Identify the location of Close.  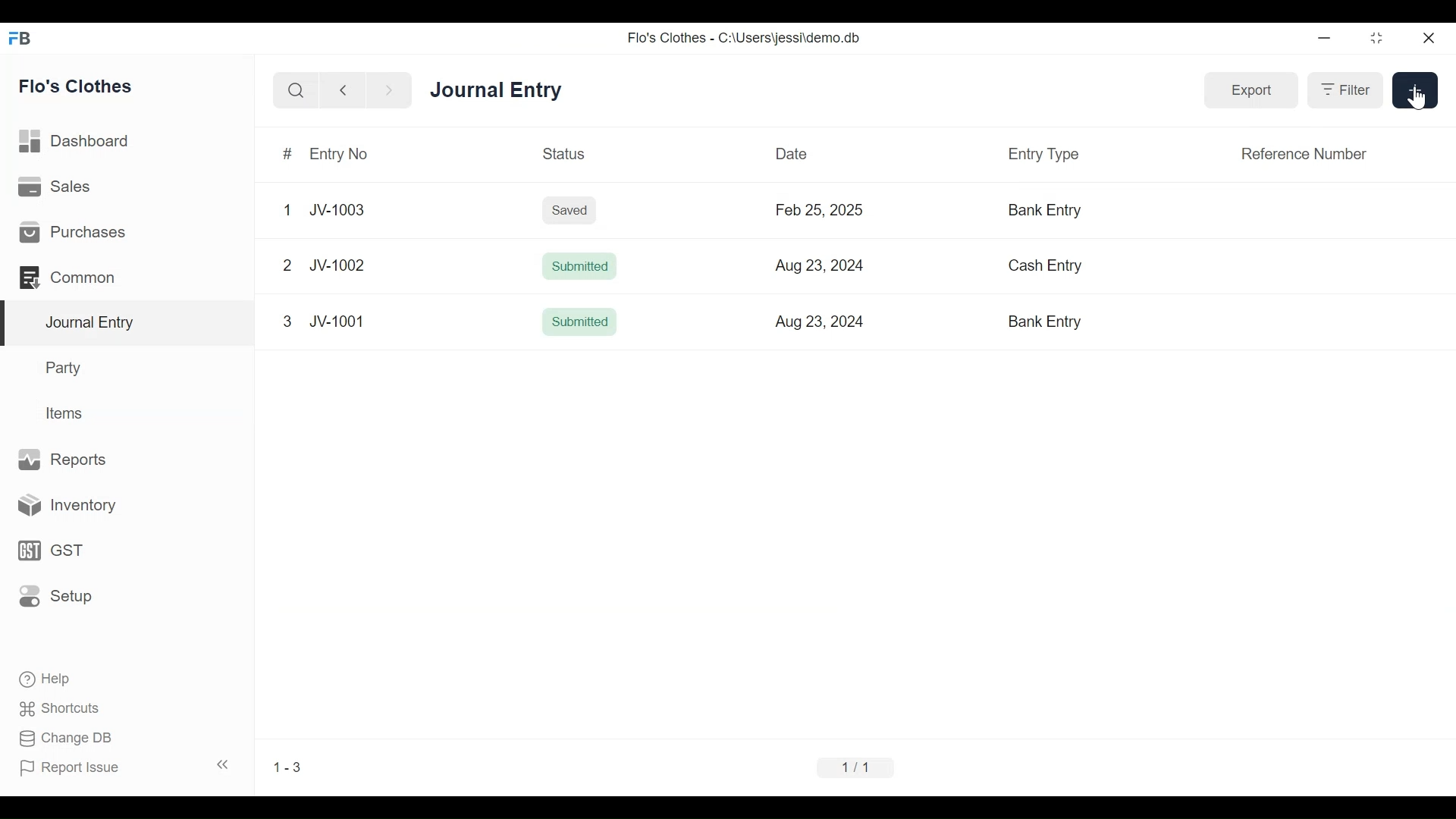
(1429, 39).